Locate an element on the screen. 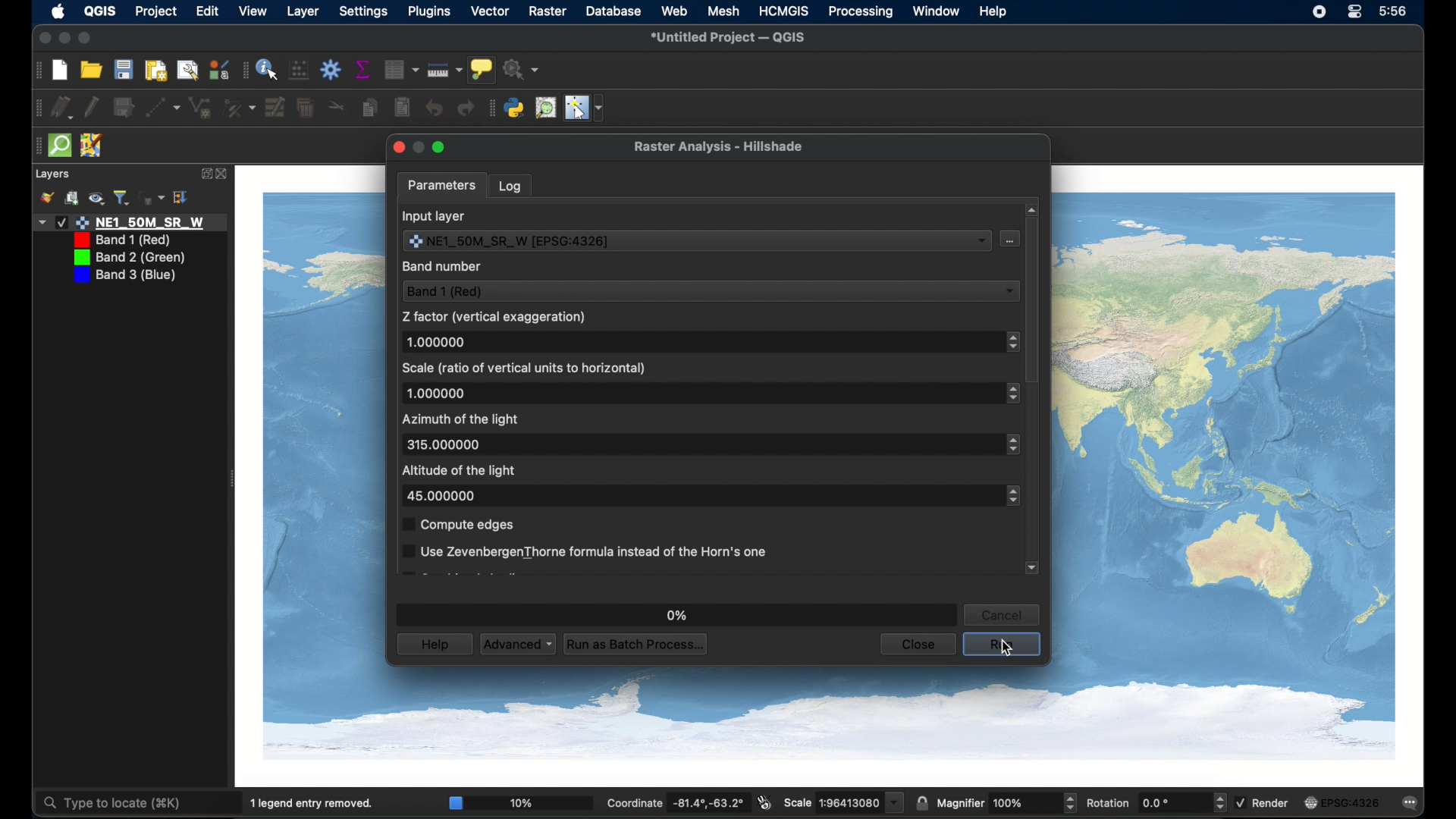 The height and width of the screenshot is (819, 1456). open is located at coordinates (92, 70).